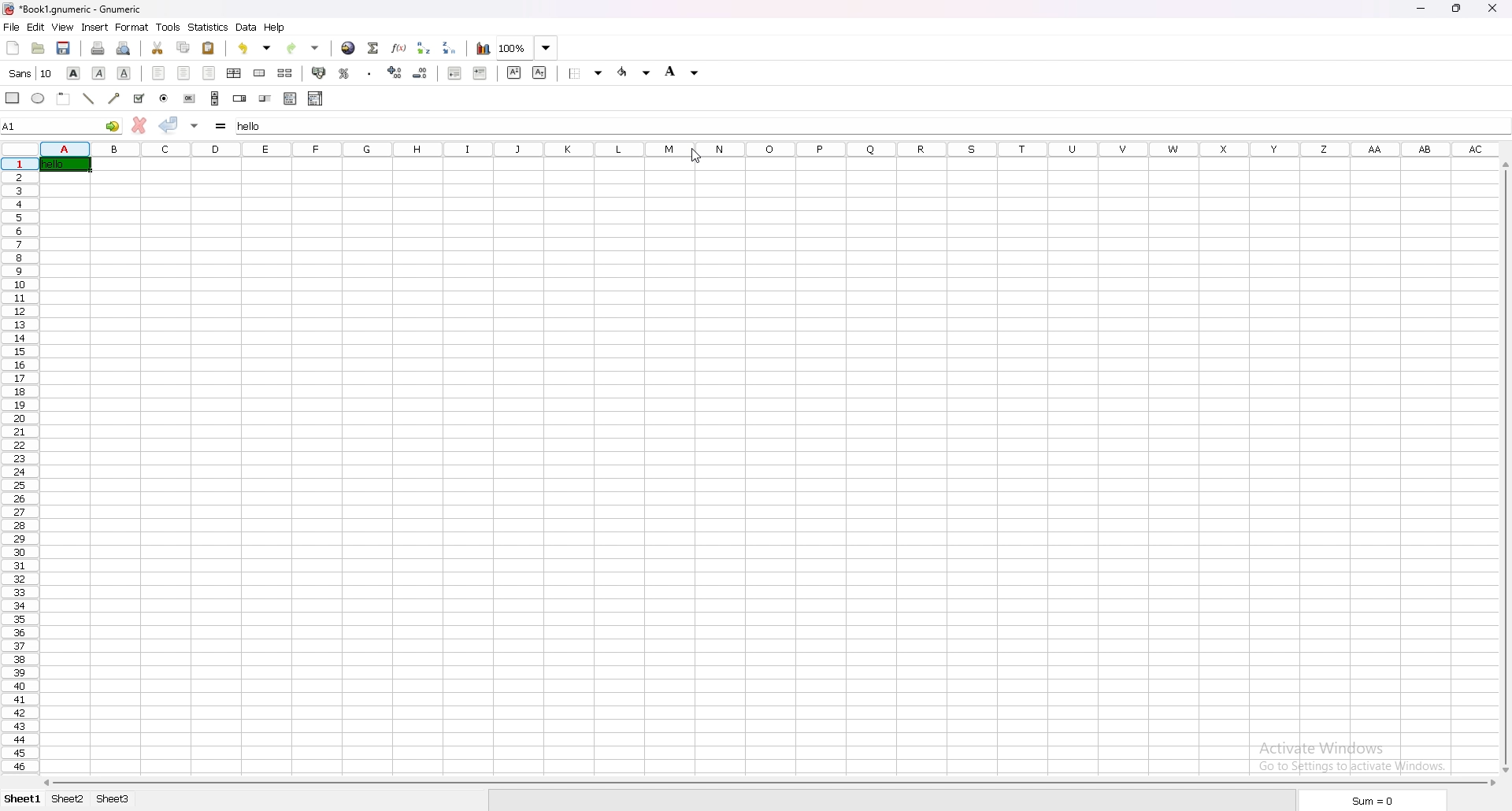 Image resolution: width=1512 pixels, height=811 pixels. Describe the element at coordinates (685, 73) in the screenshot. I see `background` at that location.